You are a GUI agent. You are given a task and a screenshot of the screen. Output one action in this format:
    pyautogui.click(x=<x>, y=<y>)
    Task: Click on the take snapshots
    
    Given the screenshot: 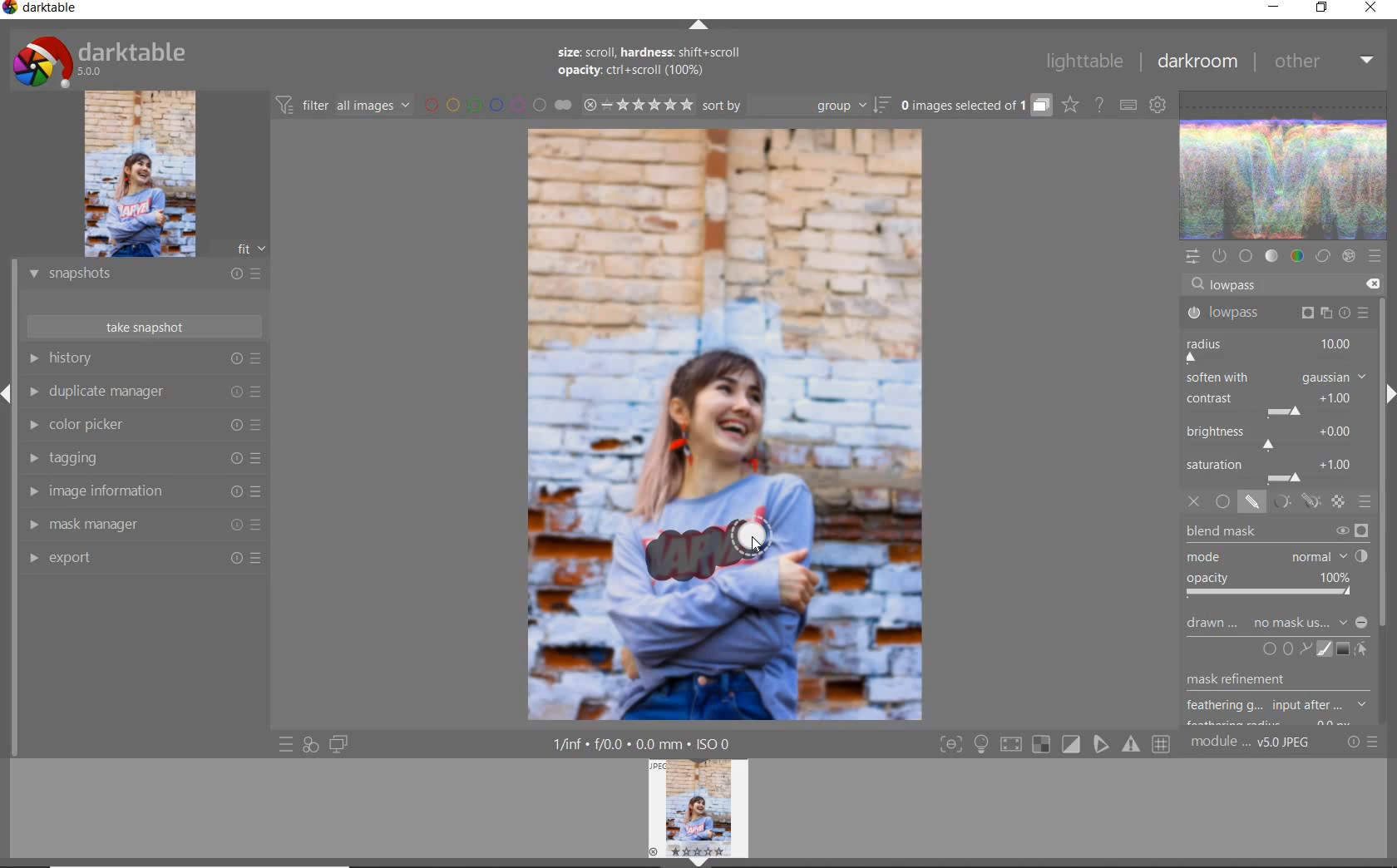 What is the action you would take?
    pyautogui.click(x=143, y=328)
    